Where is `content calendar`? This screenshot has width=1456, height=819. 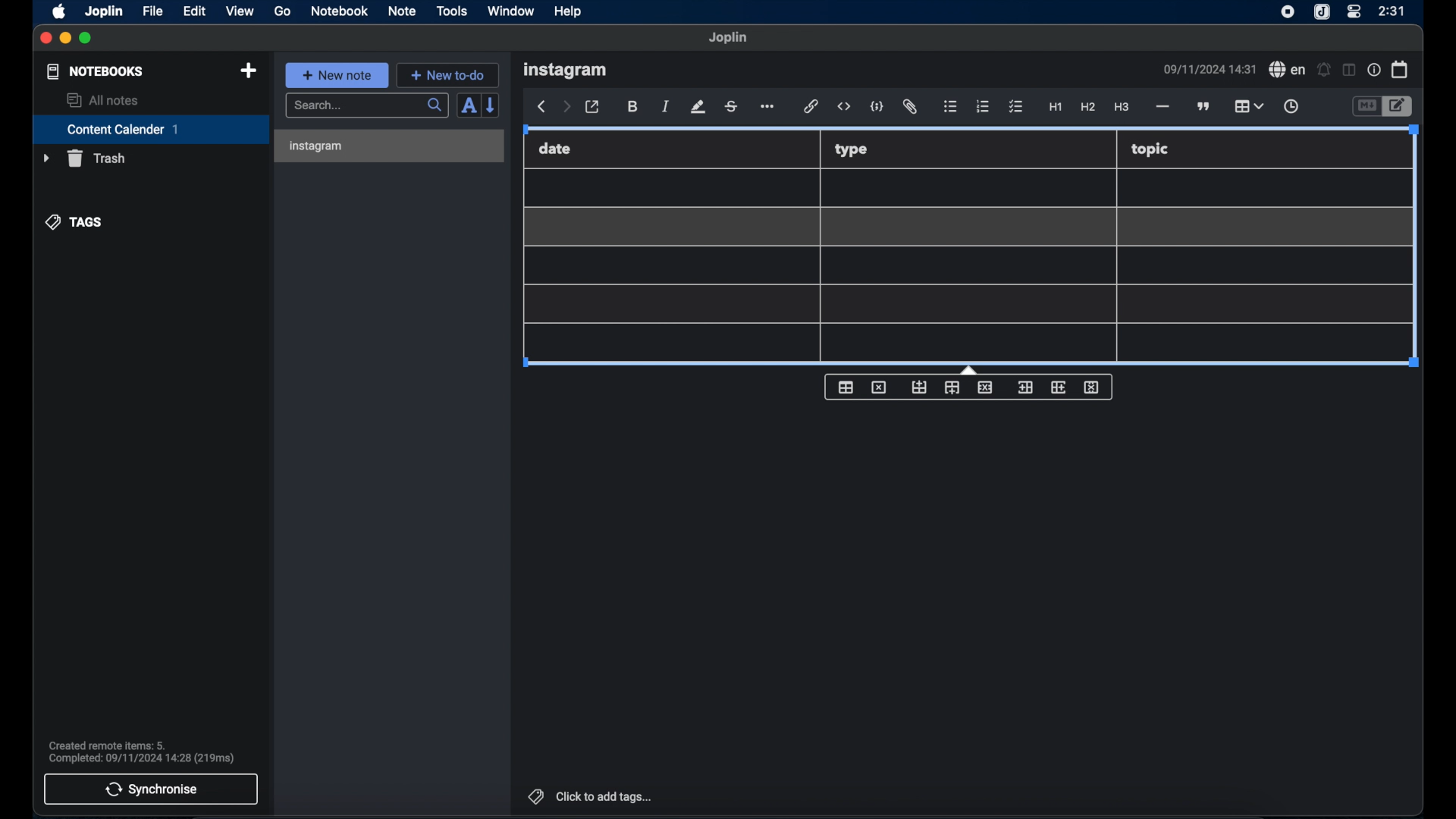
content calendar is located at coordinates (151, 129).